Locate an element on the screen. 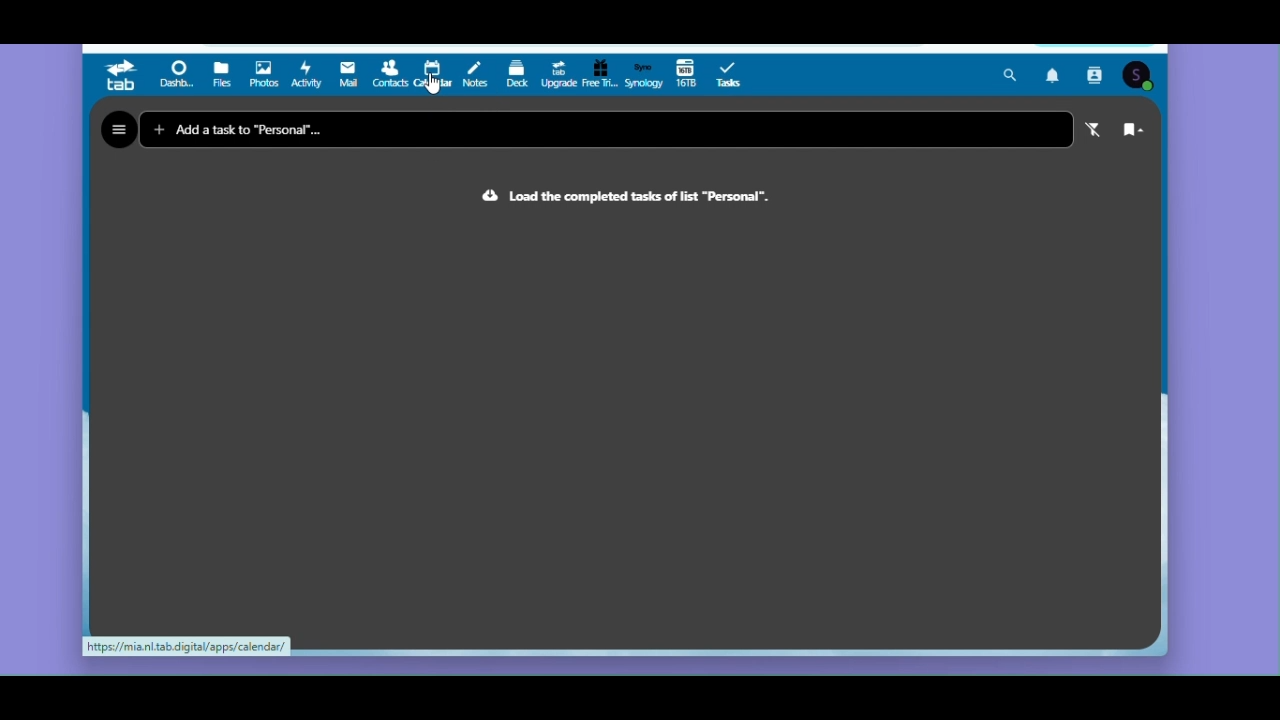 This screenshot has height=720, width=1280. Mail is located at coordinates (350, 75).